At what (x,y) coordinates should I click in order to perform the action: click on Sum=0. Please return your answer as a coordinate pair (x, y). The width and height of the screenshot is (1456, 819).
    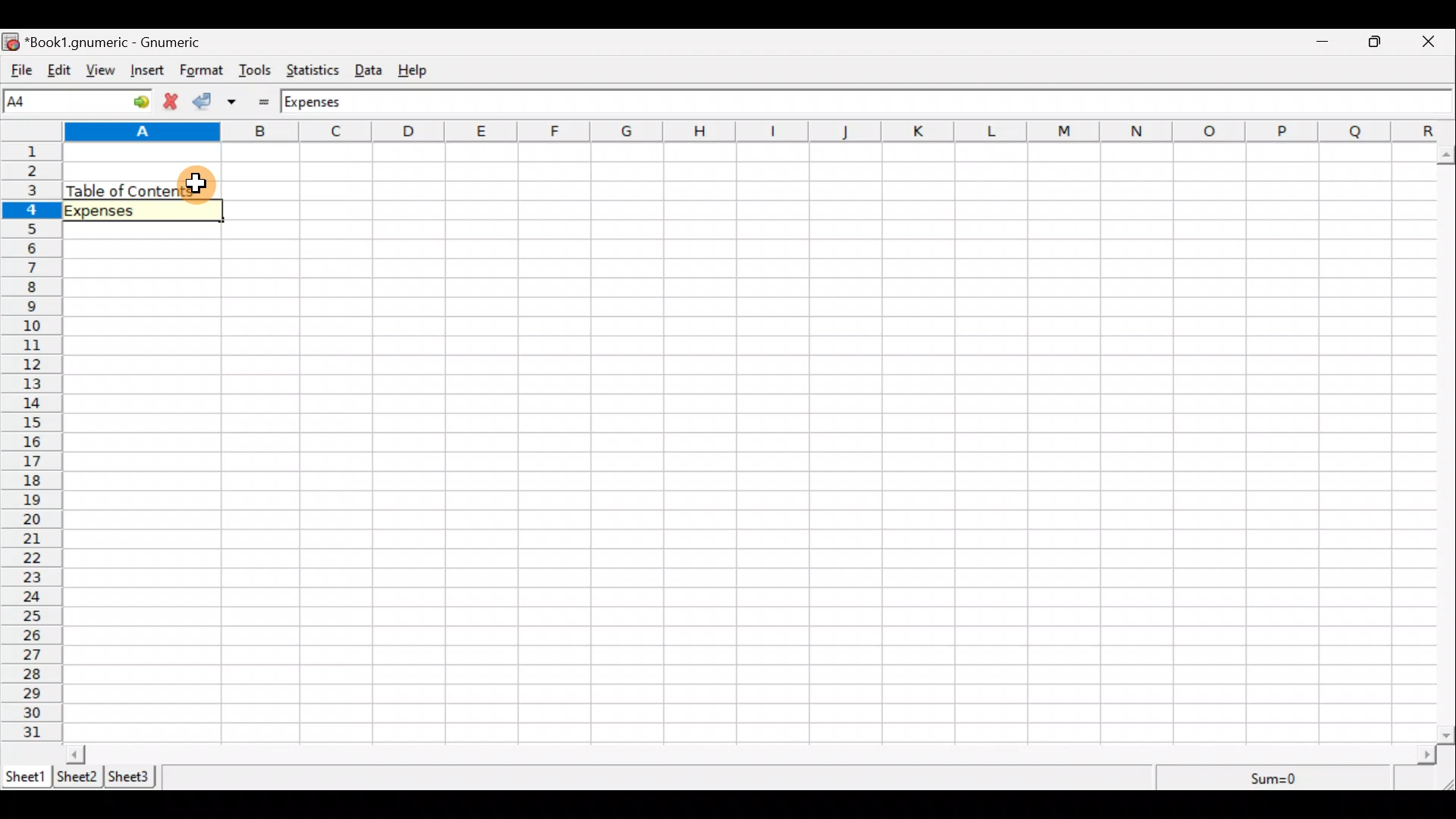
    Looking at the image, I should click on (1276, 780).